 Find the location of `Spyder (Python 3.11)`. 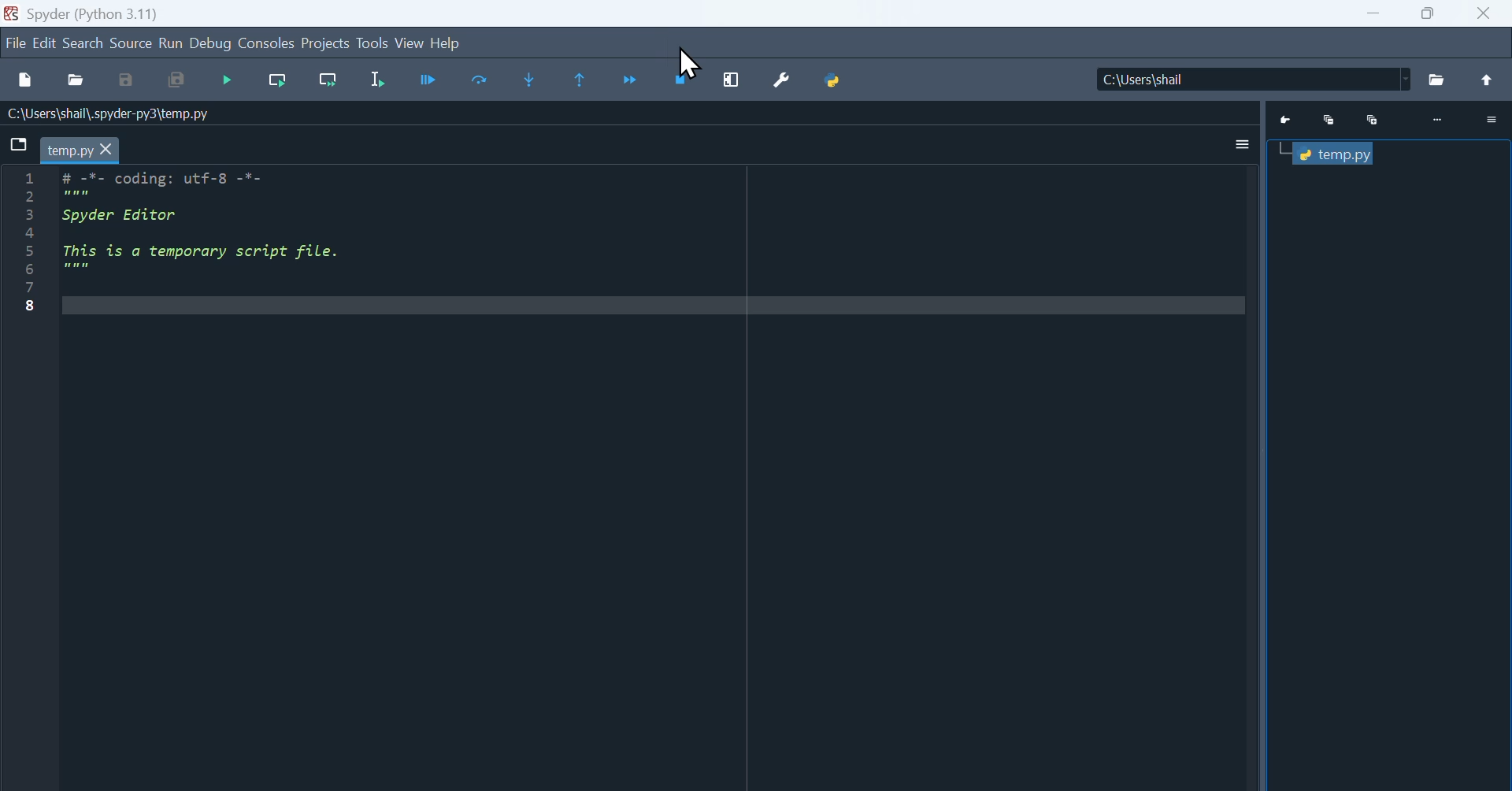

Spyder (Python 3.11) is located at coordinates (94, 14).